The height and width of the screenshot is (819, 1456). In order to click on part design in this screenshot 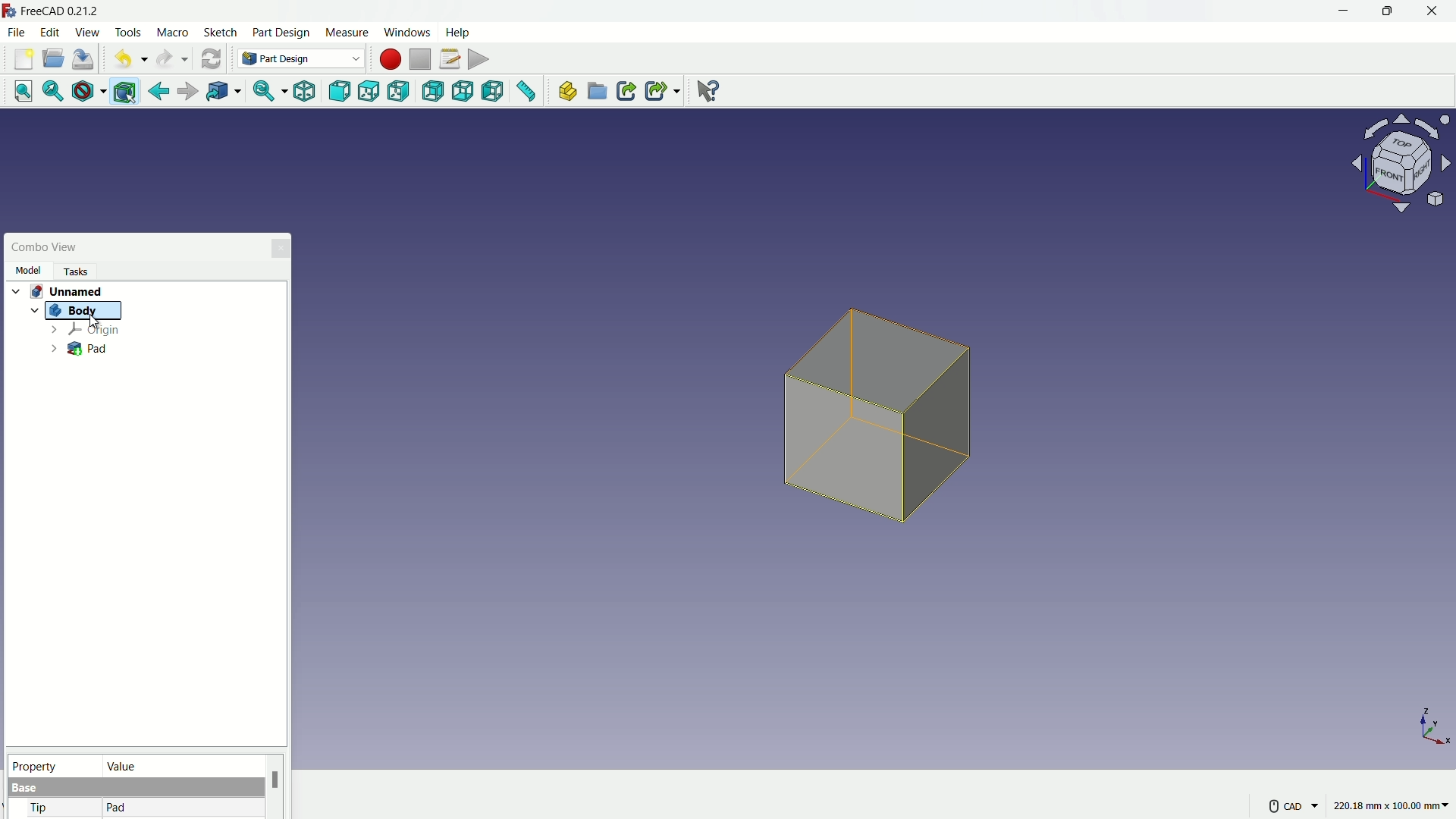, I will do `click(281, 33)`.